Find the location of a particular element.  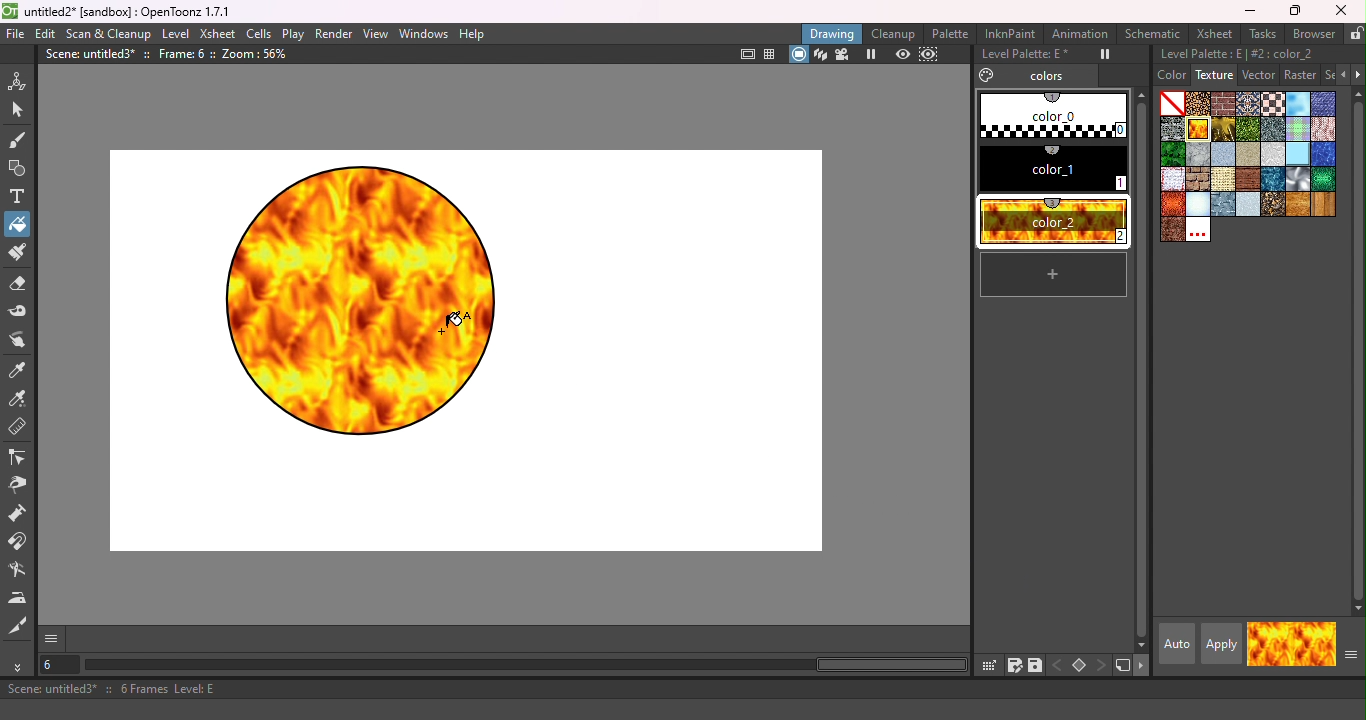

horizontal scroll bar is located at coordinates (527, 665).